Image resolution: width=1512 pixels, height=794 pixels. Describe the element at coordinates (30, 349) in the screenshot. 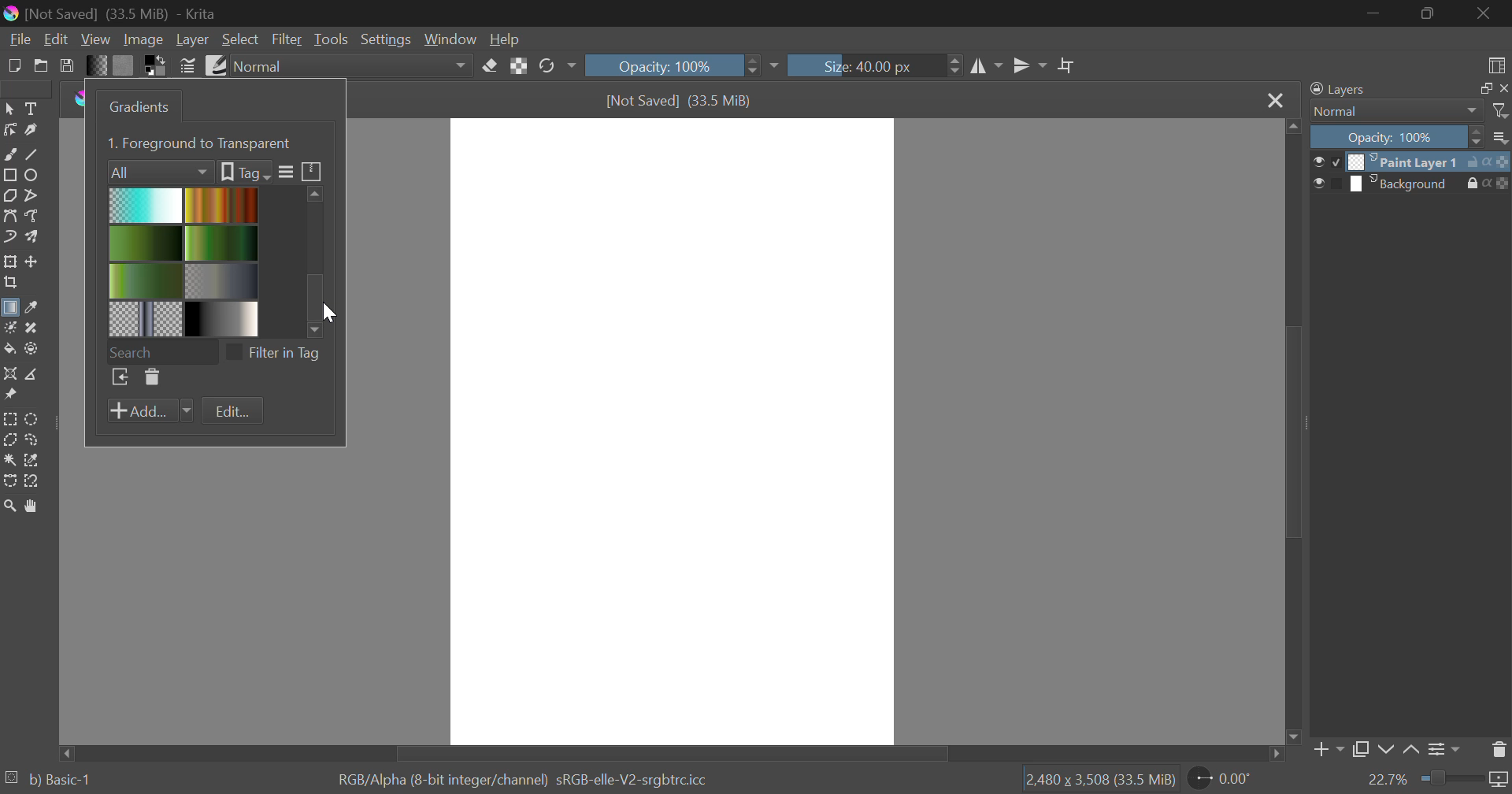

I see `Enclose and Fill` at that location.